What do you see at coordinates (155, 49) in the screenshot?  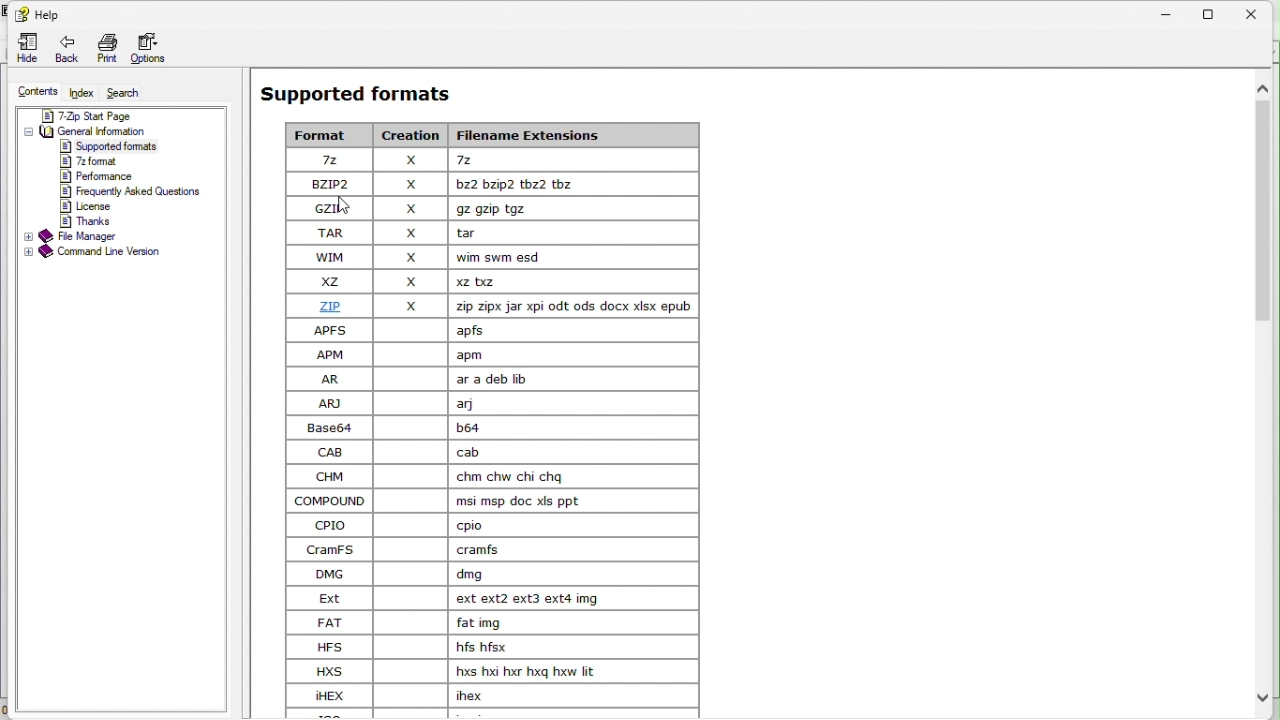 I see `options` at bounding box center [155, 49].